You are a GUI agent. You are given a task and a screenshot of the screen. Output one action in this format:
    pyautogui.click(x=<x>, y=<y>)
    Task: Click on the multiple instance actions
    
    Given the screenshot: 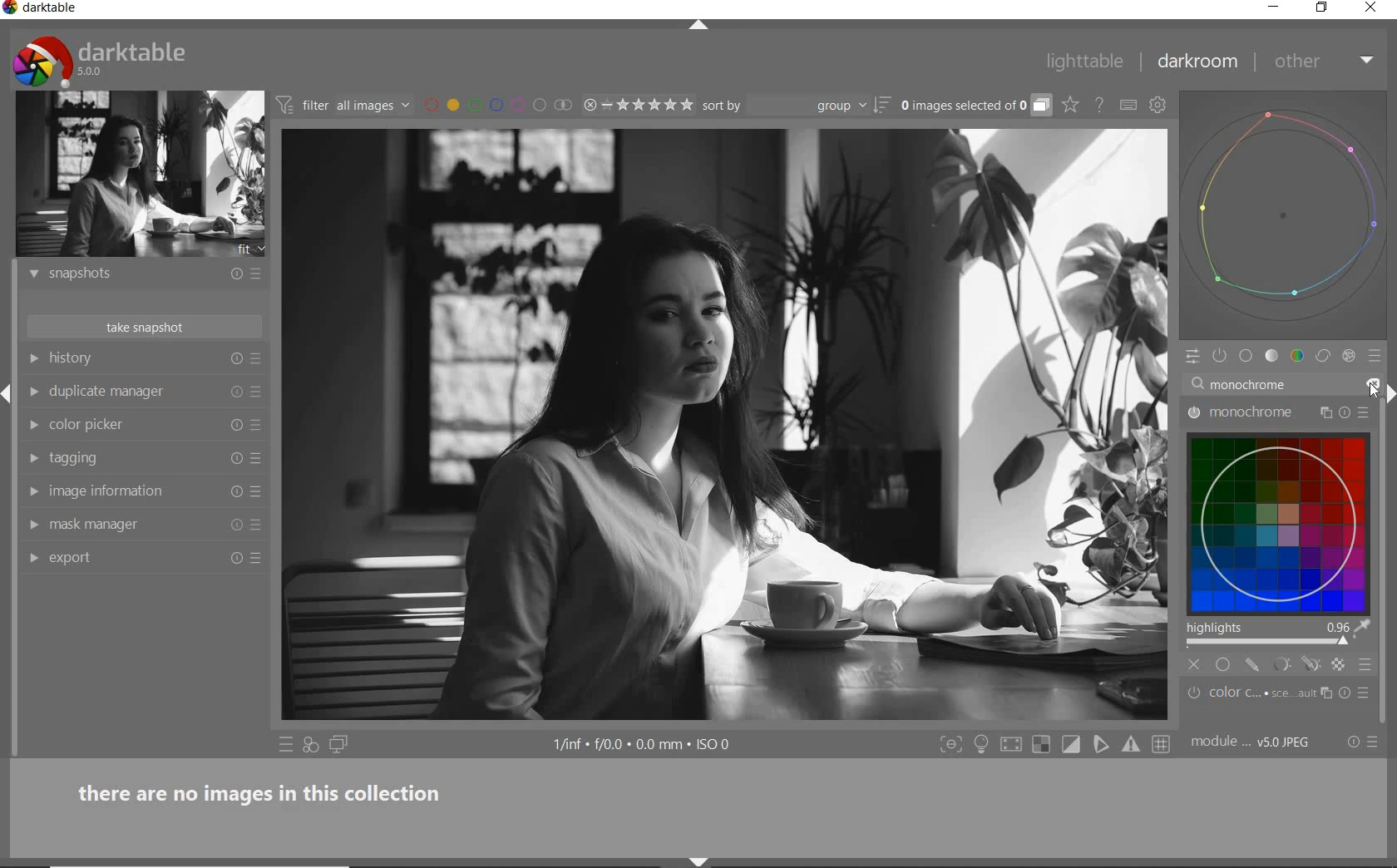 What is the action you would take?
    pyautogui.click(x=1324, y=413)
    